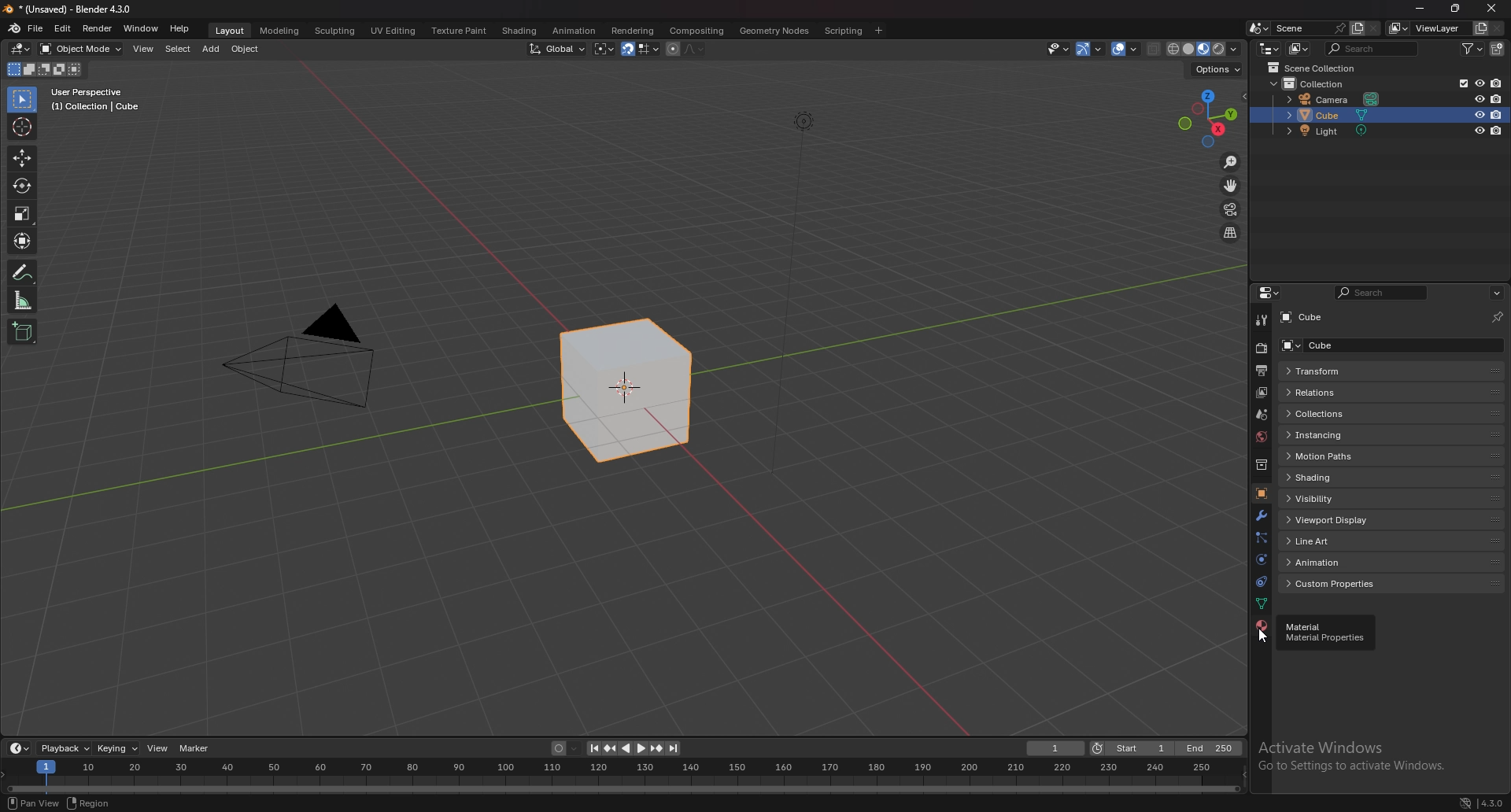  Describe the element at coordinates (1353, 760) in the screenshot. I see `Activate Windows Go to Settings to activate Windows.` at that location.